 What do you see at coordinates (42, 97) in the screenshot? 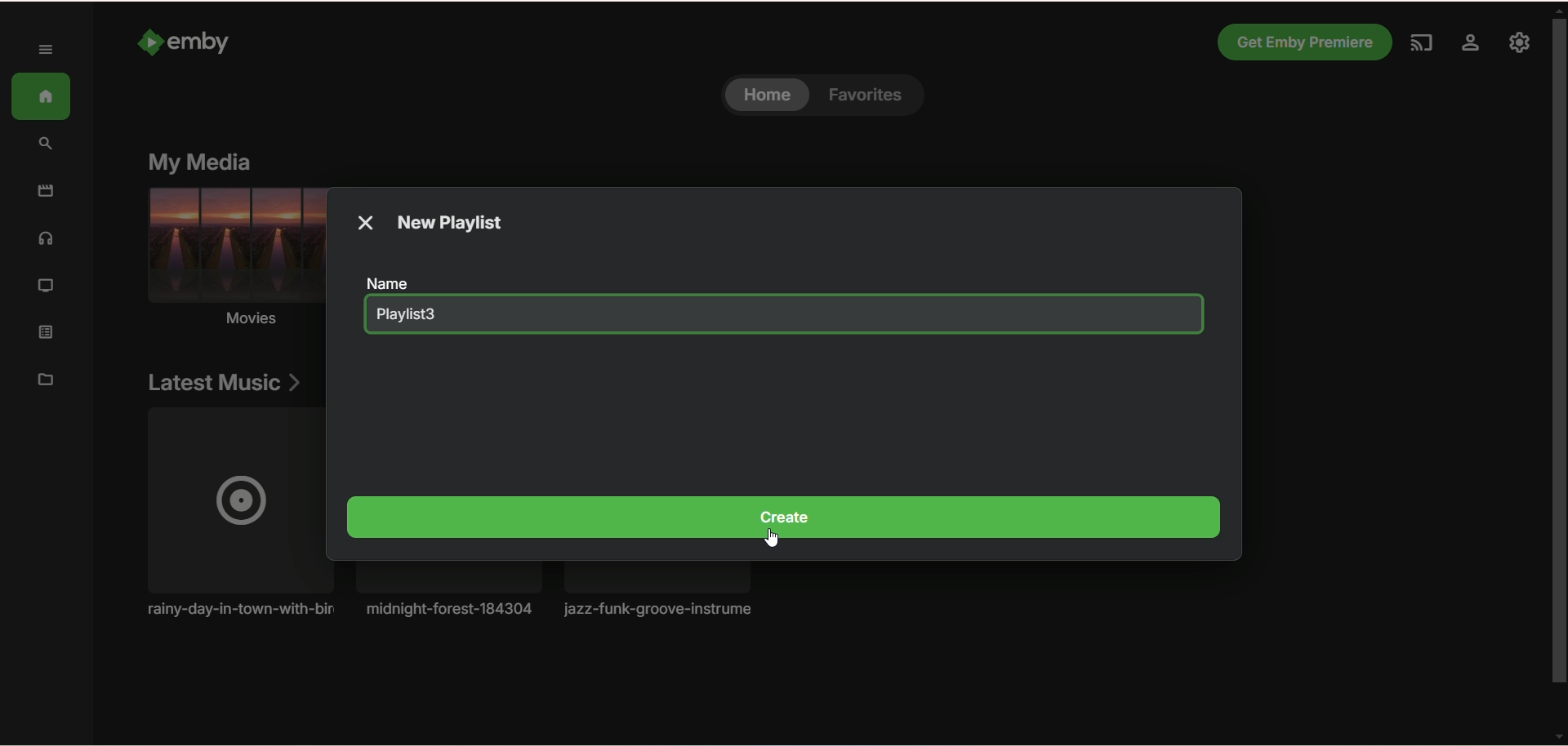
I see `home` at bounding box center [42, 97].